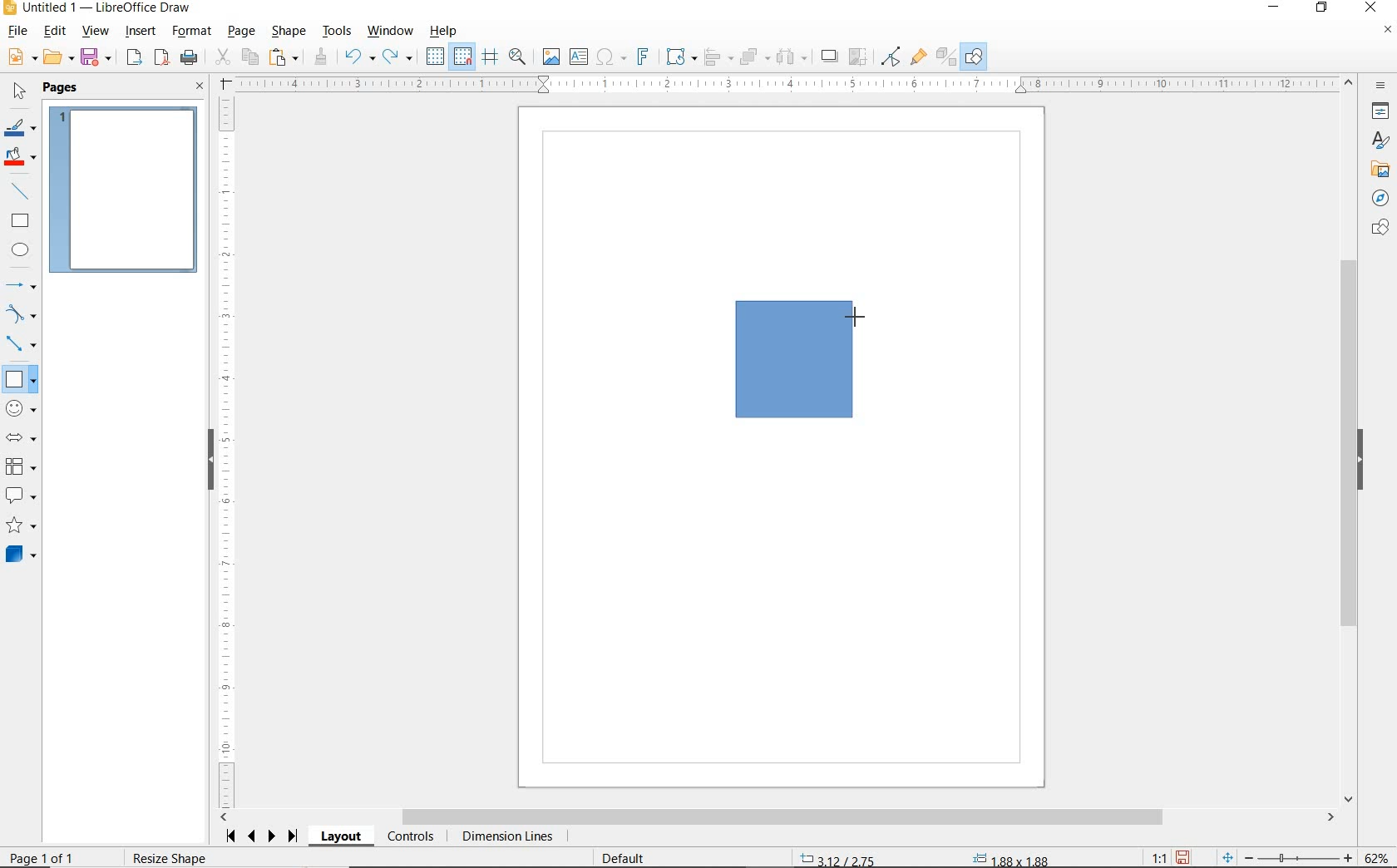 The height and width of the screenshot is (868, 1397). I want to click on CALLOUT SHAPES, so click(22, 496).